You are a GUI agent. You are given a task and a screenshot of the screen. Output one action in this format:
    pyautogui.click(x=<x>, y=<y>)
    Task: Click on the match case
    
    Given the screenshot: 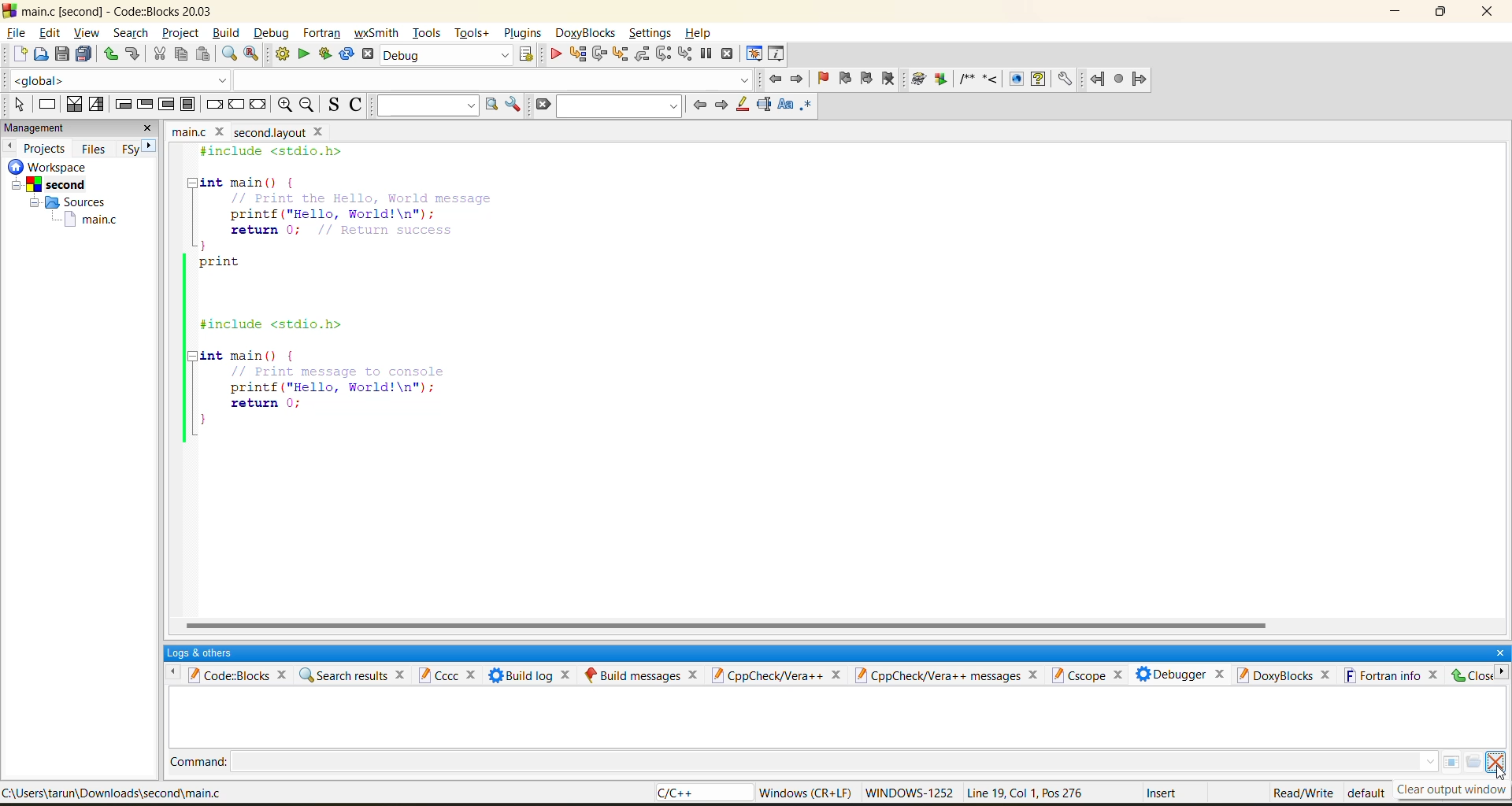 What is the action you would take?
    pyautogui.click(x=785, y=107)
    